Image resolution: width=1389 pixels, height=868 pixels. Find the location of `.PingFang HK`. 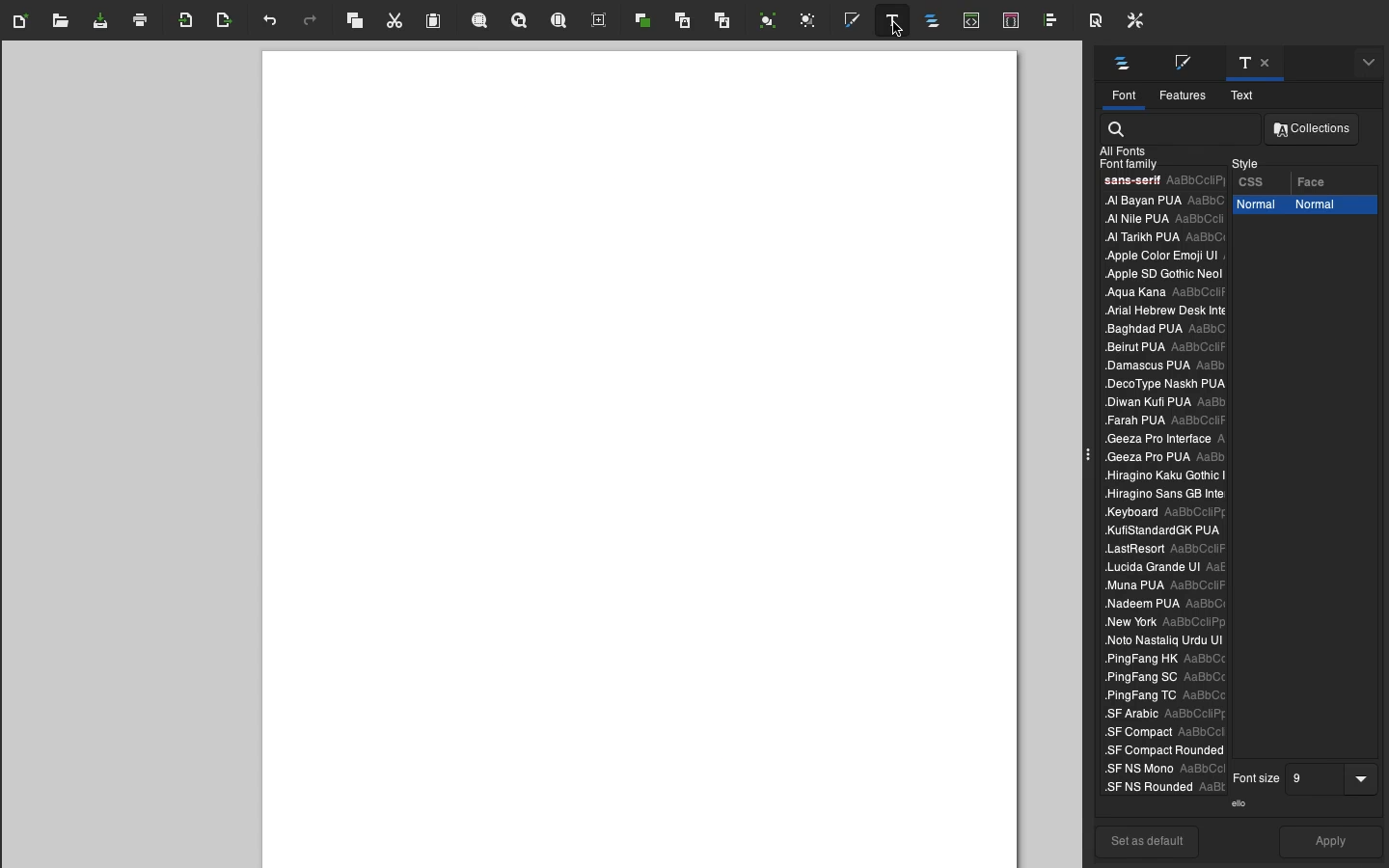

.PingFang HK is located at coordinates (1166, 659).